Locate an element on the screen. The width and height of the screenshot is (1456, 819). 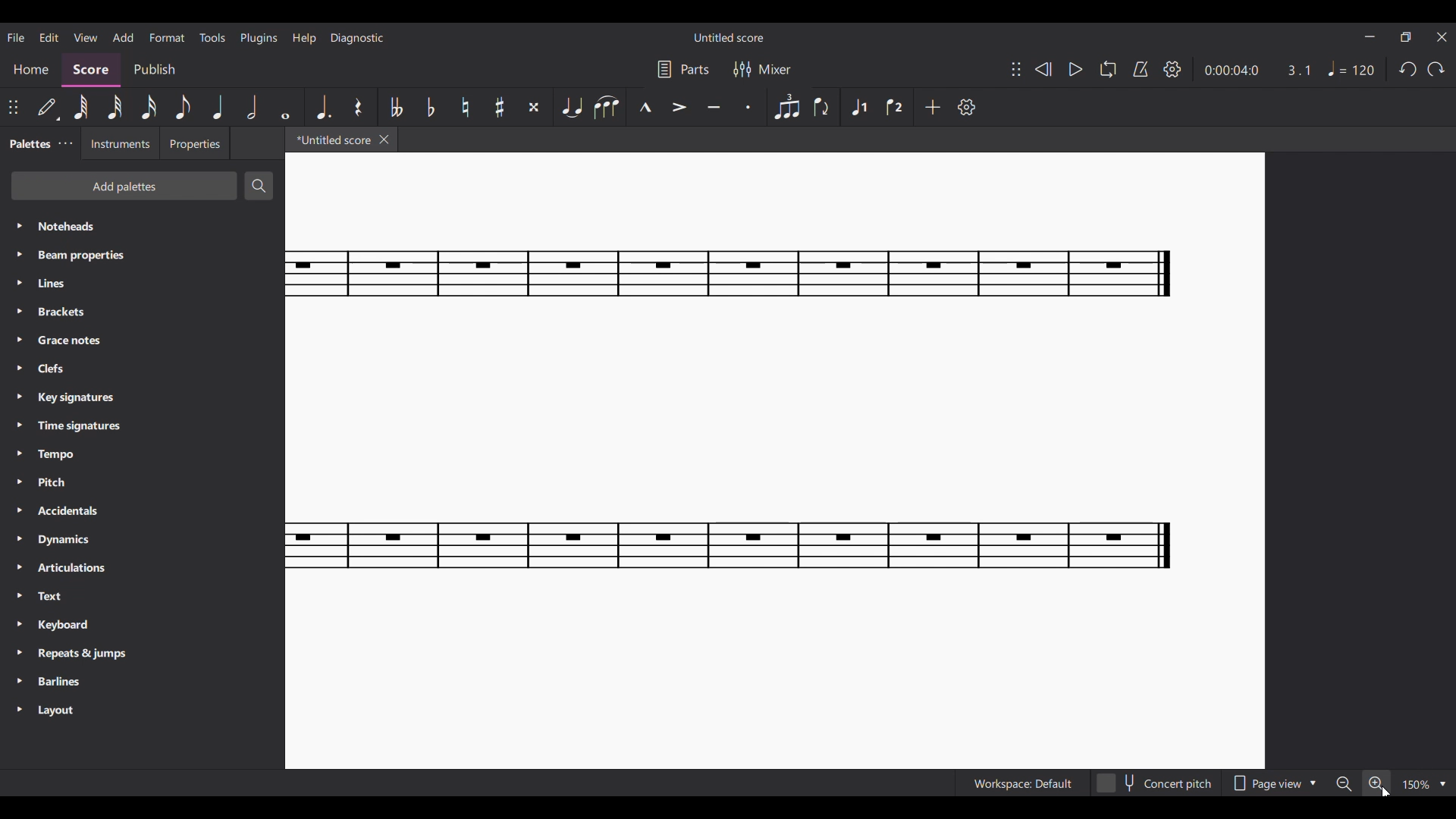
Zoom in, highlighted by cursor is located at coordinates (1376, 783).